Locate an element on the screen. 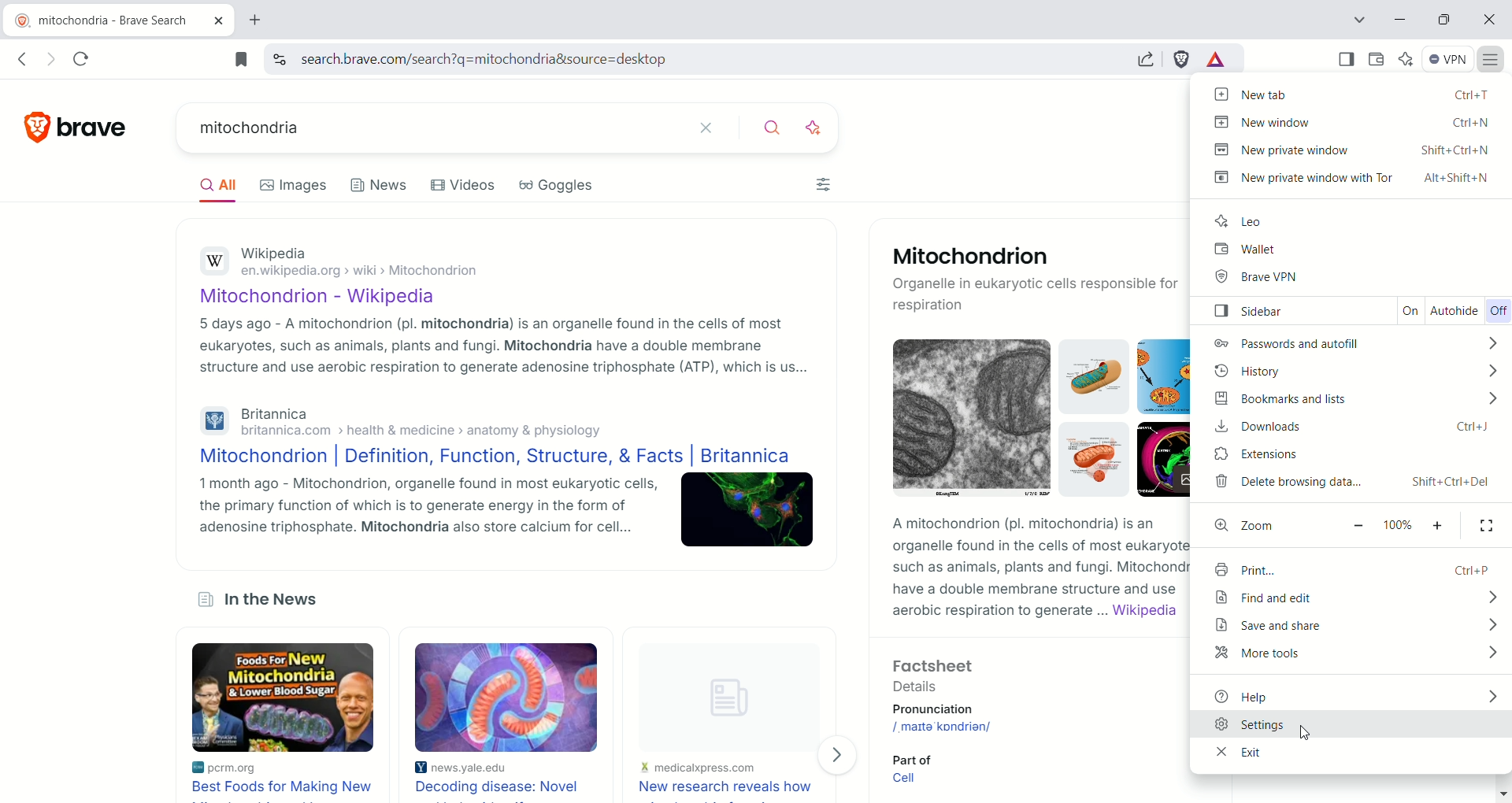 This screenshot has width=1512, height=803. brave logo is located at coordinates (34, 126).